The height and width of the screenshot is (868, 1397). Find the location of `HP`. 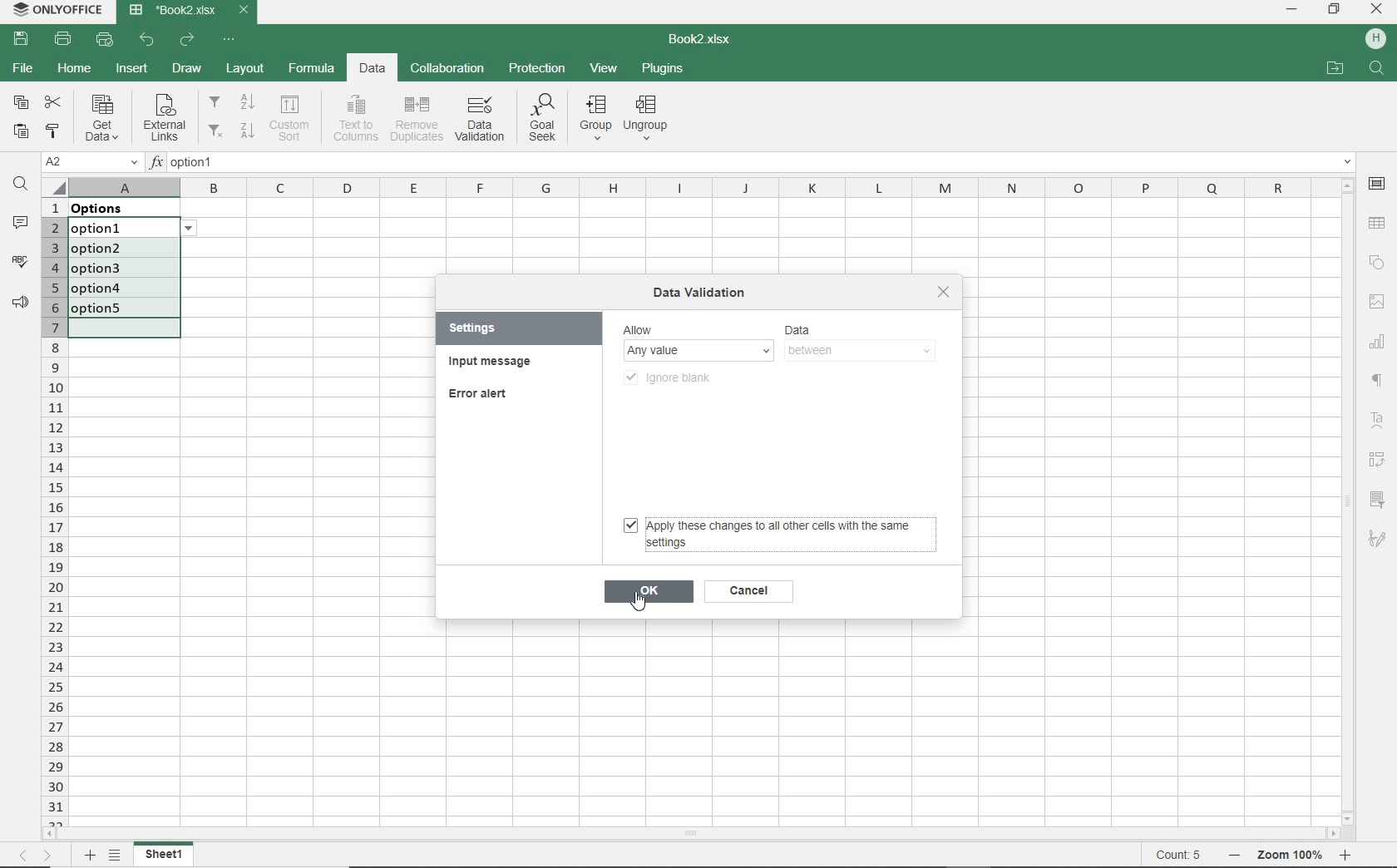

HP is located at coordinates (1377, 40).